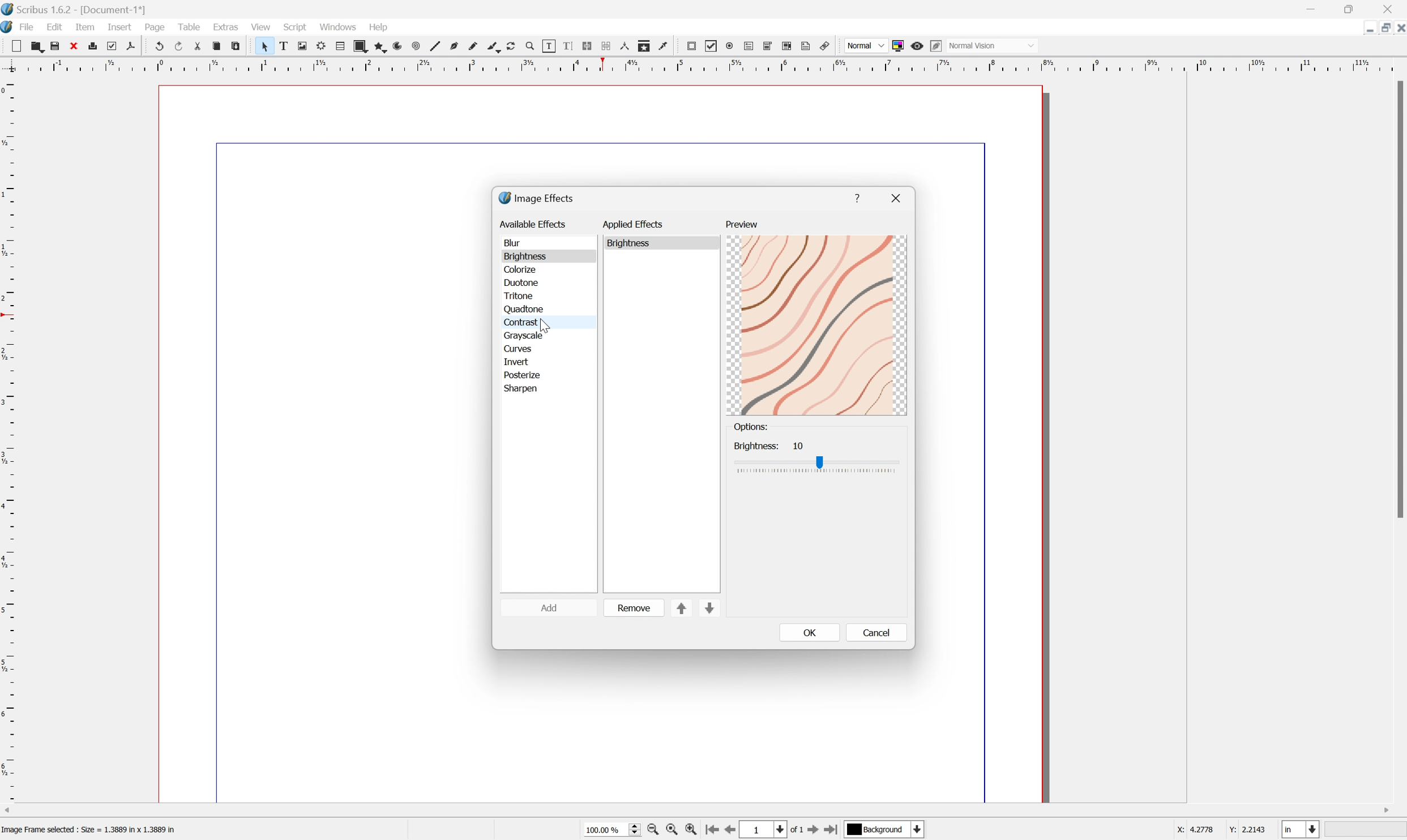 This screenshot has height=840, width=1407. What do you see at coordinates (263, 46) in the screenshot?
I see `Select item` at bounding box center [263, 46].